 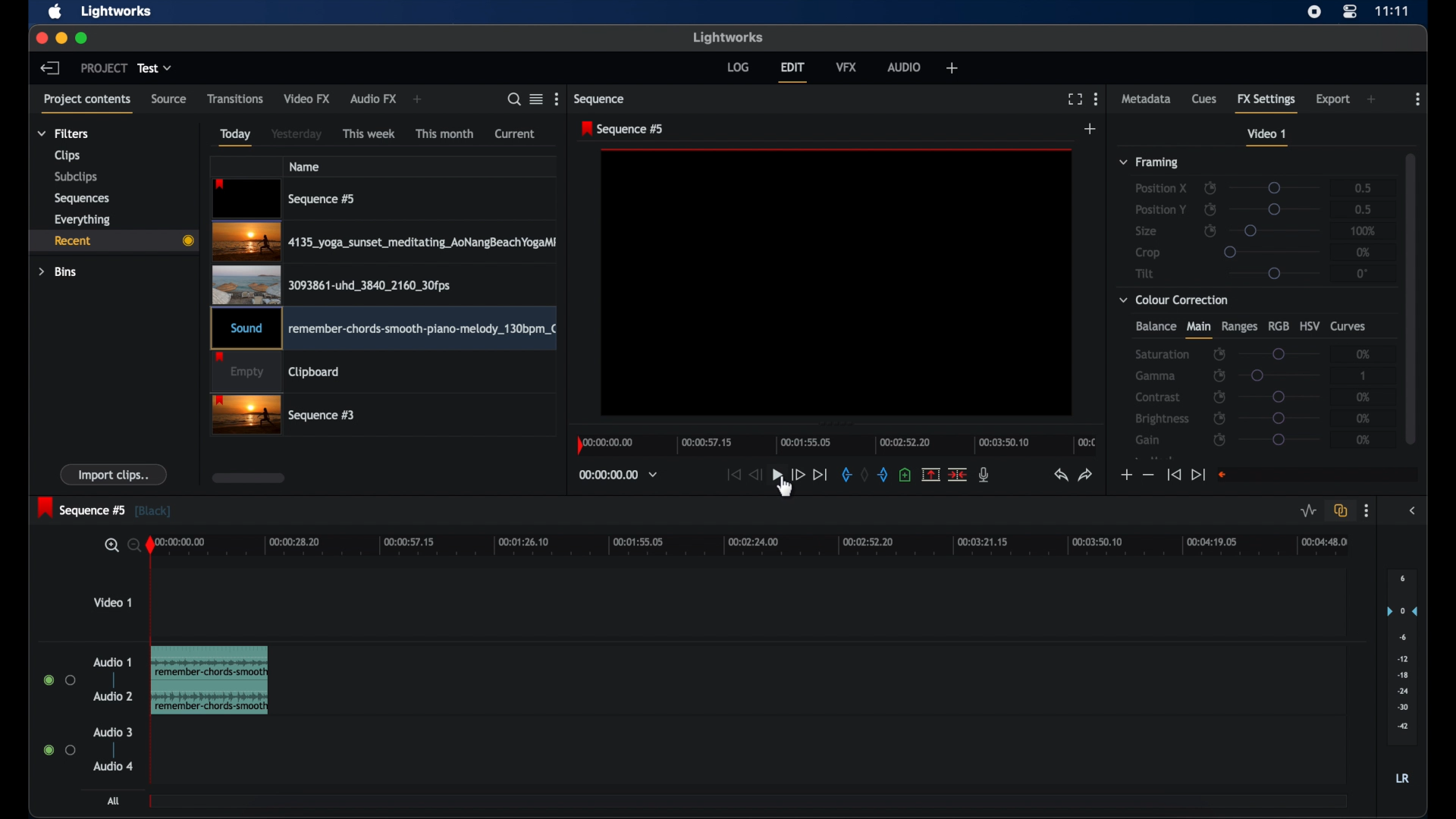 I want to click on video clip, so click(x=384, y=242).